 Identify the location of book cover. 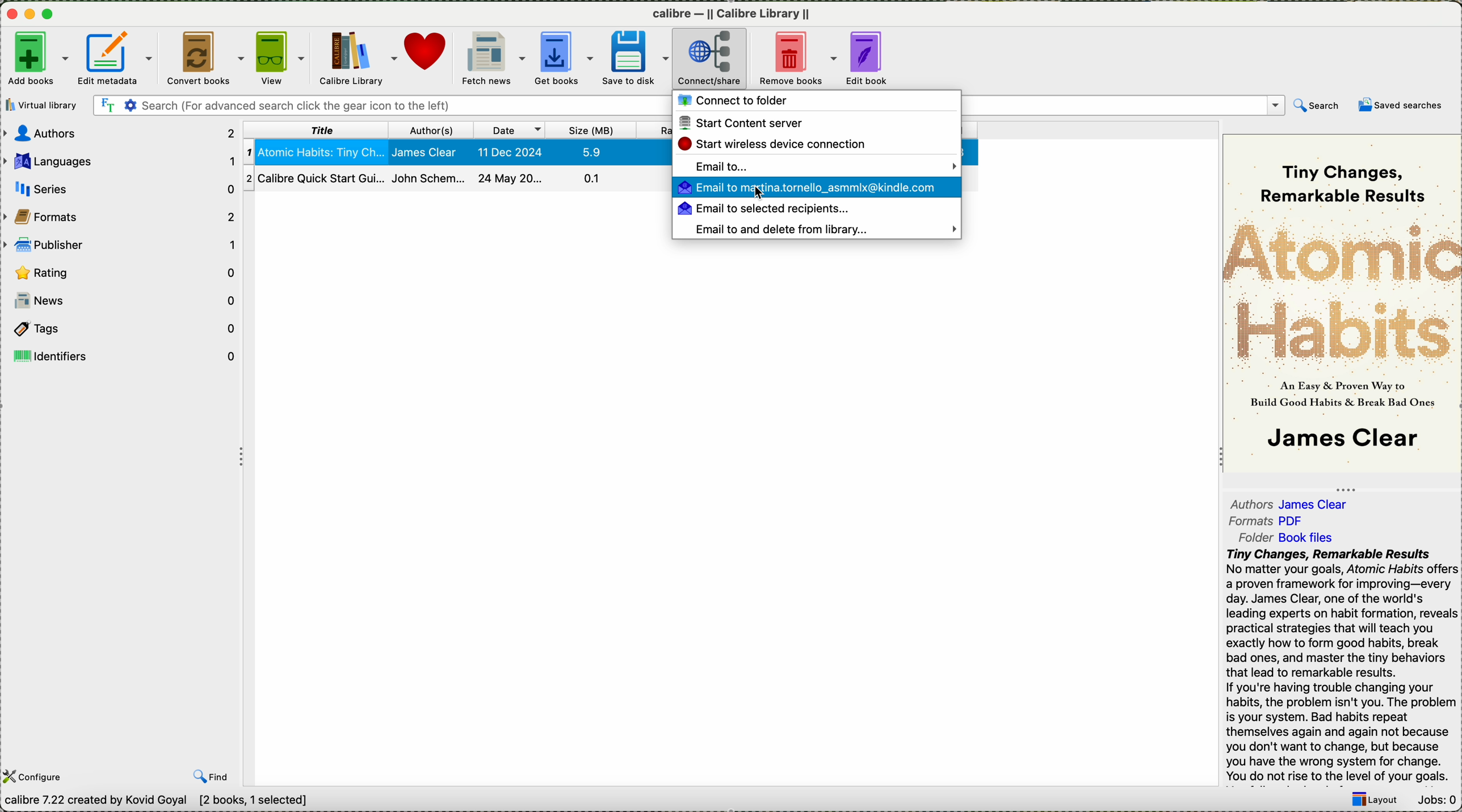
(1343, 305).